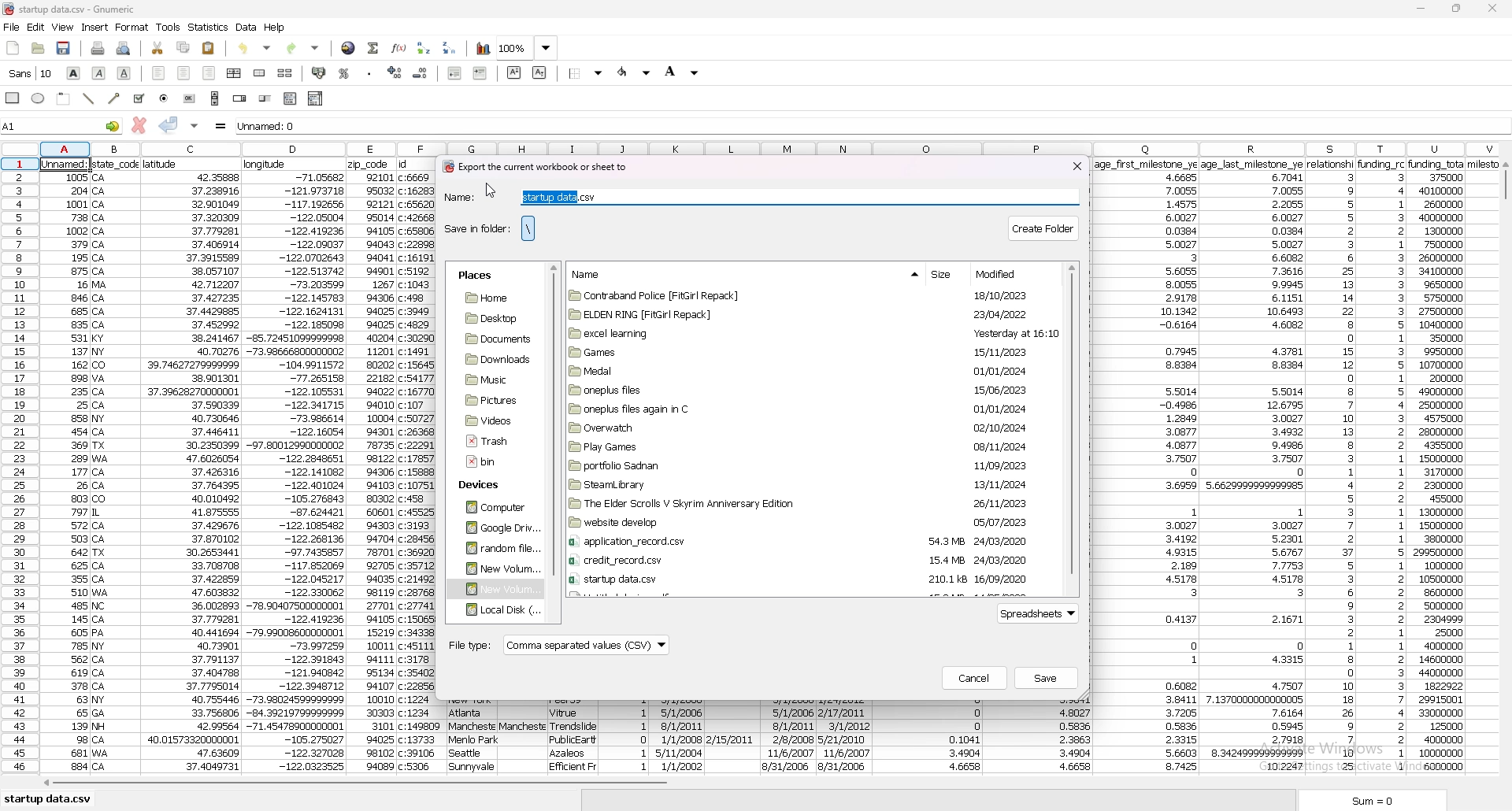 The width and height of the screenshot is (1512, 811). I want to click on cut, so click(158, 49).